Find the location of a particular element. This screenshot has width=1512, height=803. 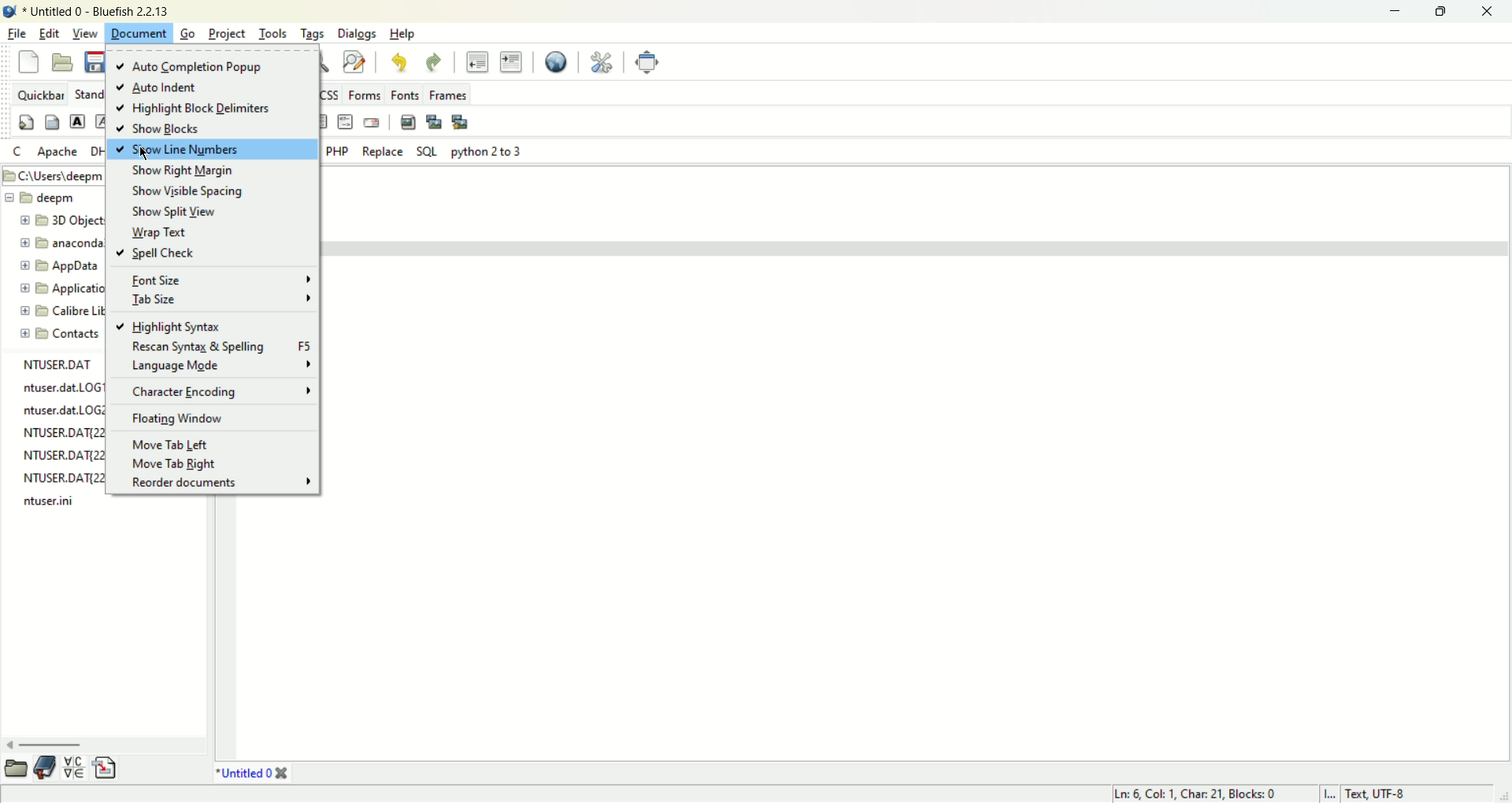

show visible spacing is located at coordinates (190, 191).